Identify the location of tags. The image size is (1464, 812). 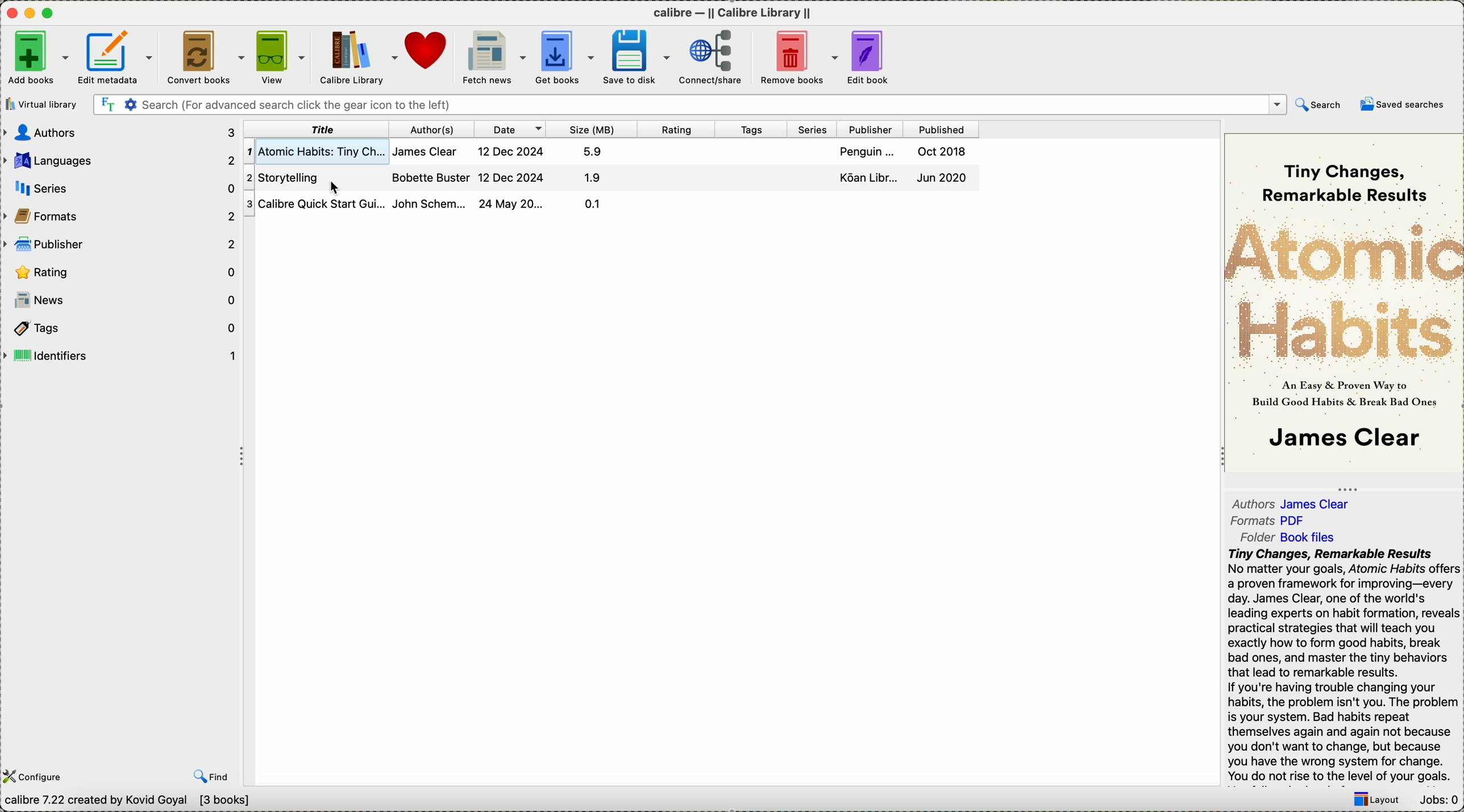
(753, 130).